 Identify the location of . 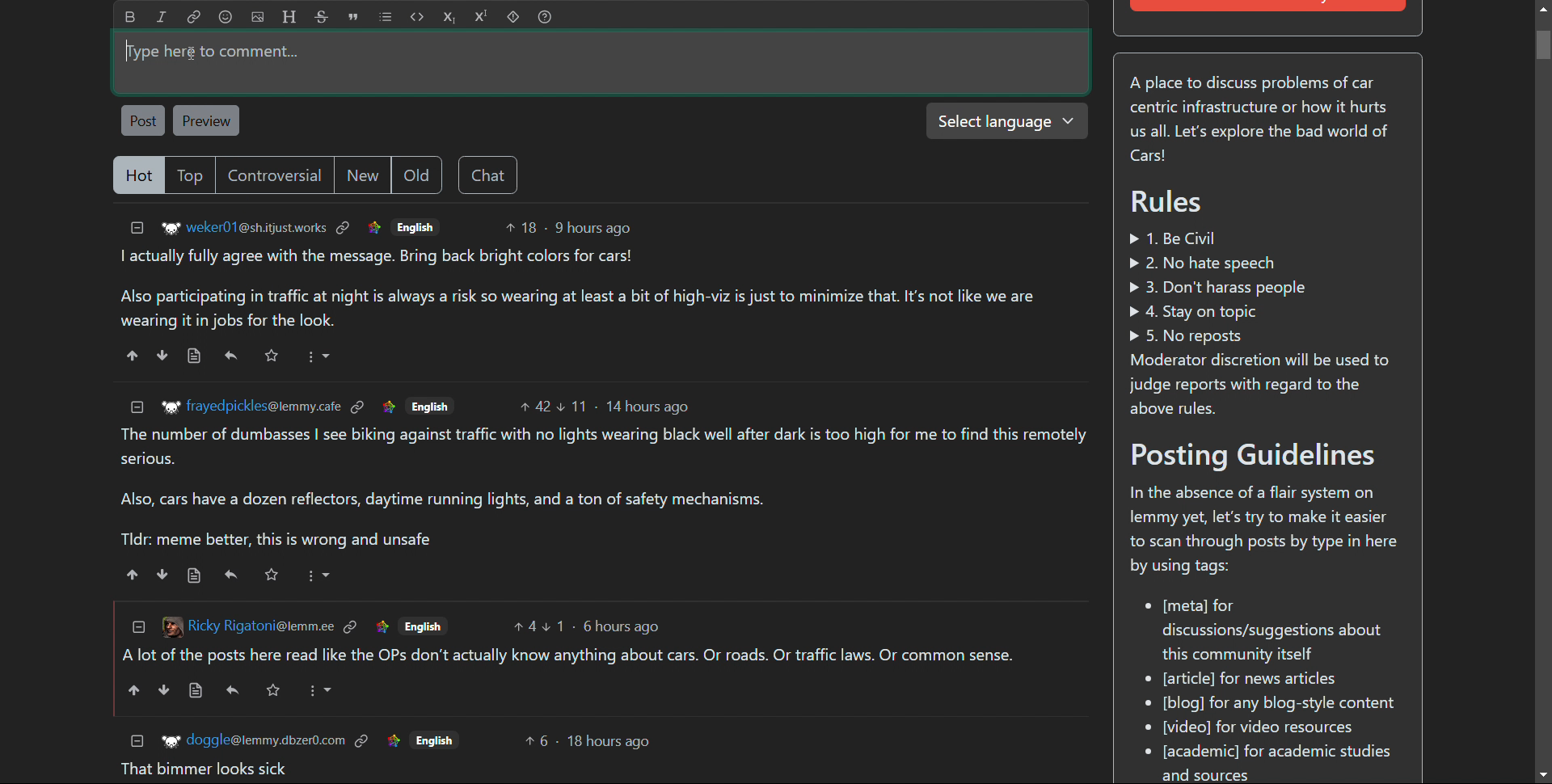
(272, 689).